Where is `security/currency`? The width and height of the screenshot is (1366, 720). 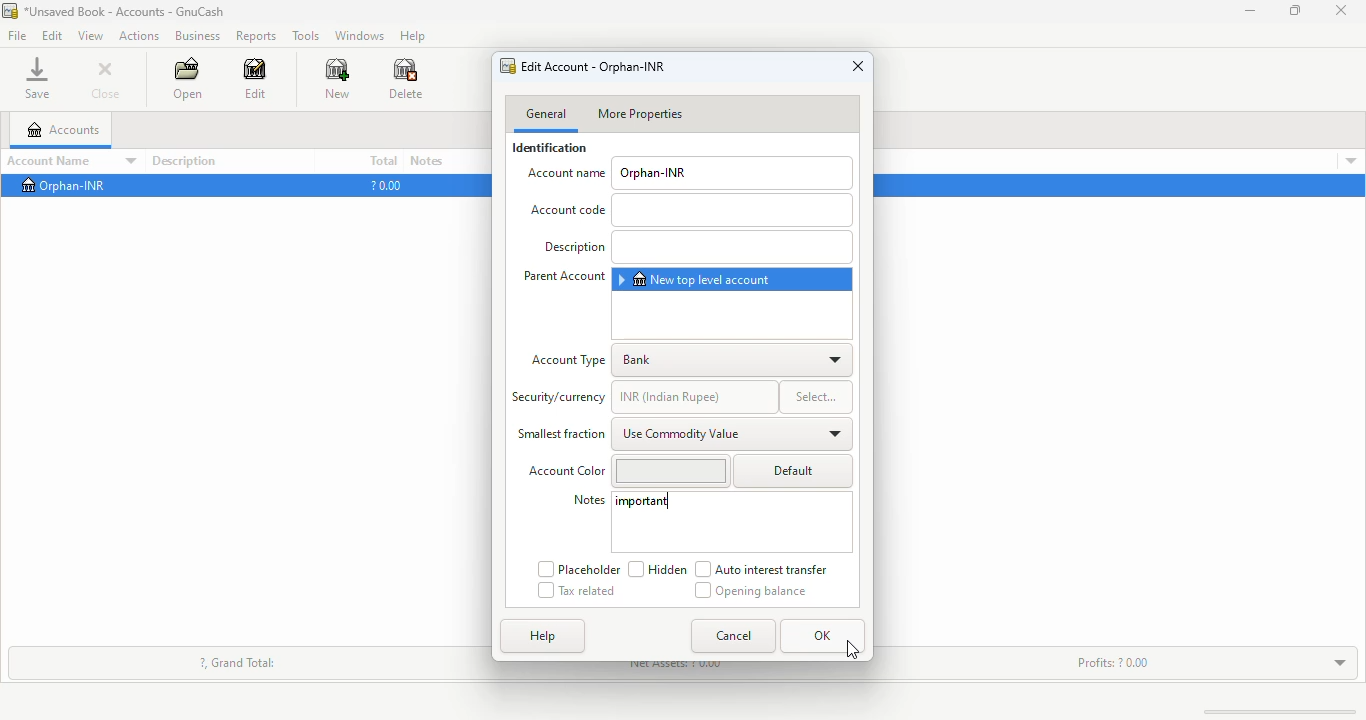
security/currency is located at coordinates (559, 397).